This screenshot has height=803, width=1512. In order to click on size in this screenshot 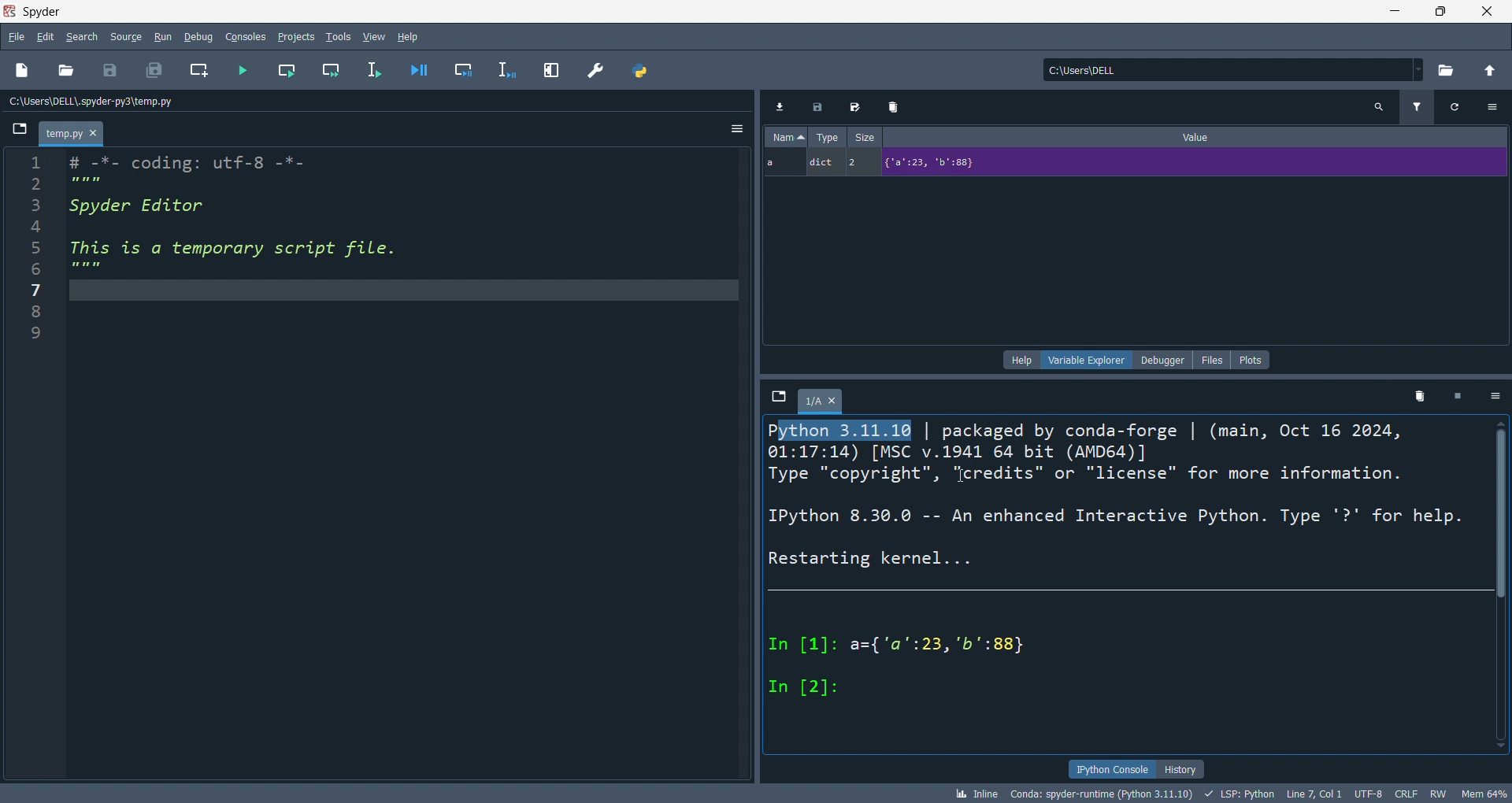, I will do `click(864, 135)`.